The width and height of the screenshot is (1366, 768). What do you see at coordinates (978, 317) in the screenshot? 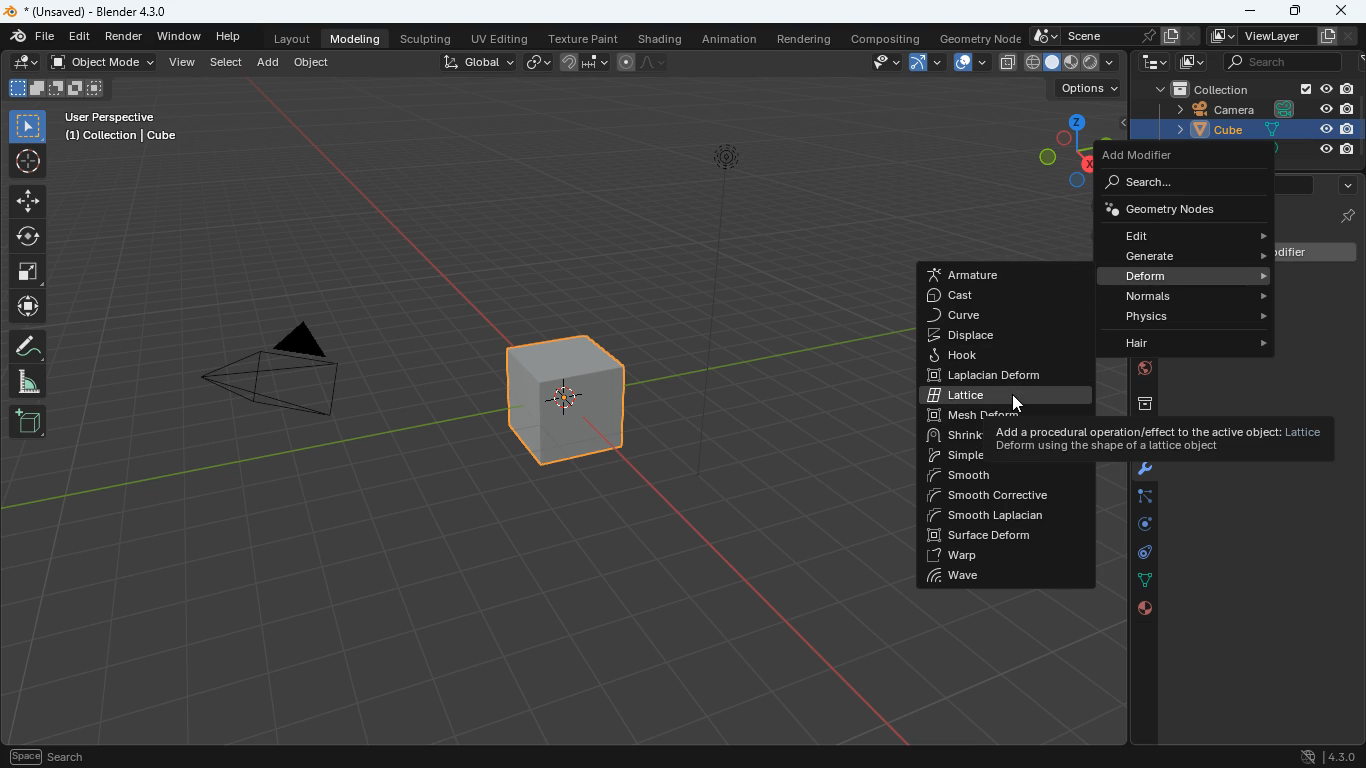
I see `curve` at bounding box center [978, 317].